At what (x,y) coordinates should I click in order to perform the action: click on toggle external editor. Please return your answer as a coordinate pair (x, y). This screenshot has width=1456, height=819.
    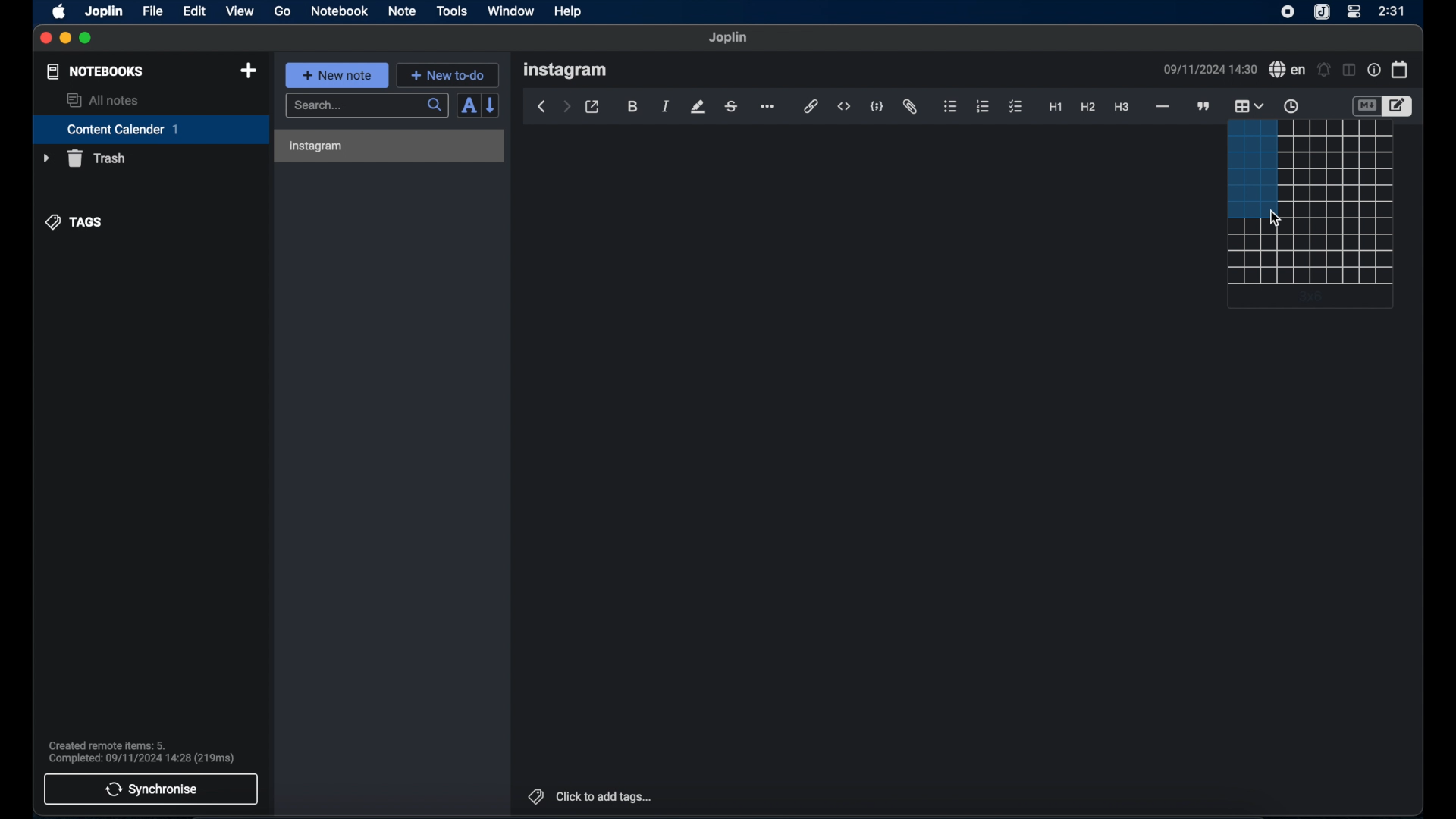
    Looking at the image, I should click on (592, 107).